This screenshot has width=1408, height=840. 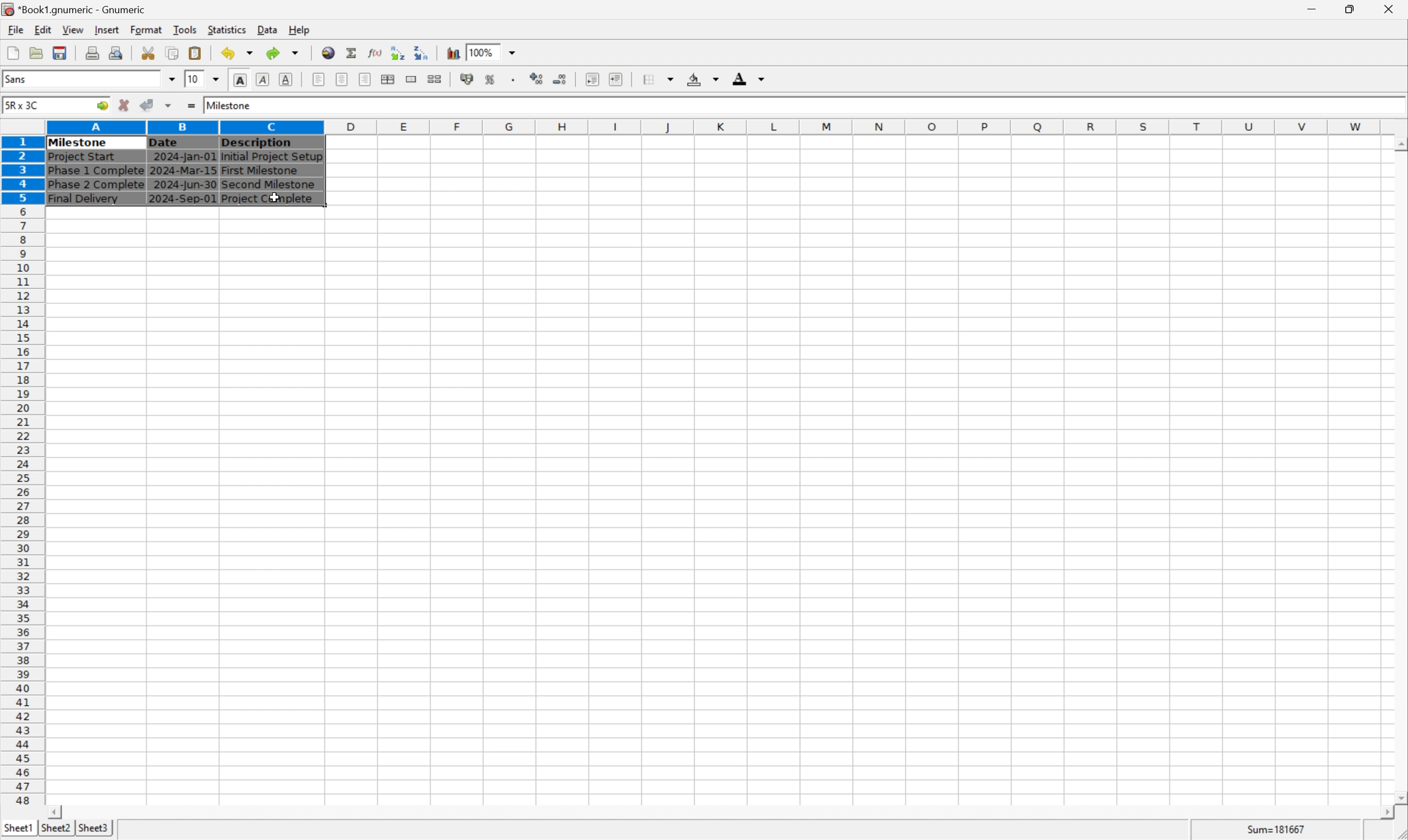 What do you see at coordinates (228, 29) in the screenshot?
I see `statistics` at bounding box center [228, 29].